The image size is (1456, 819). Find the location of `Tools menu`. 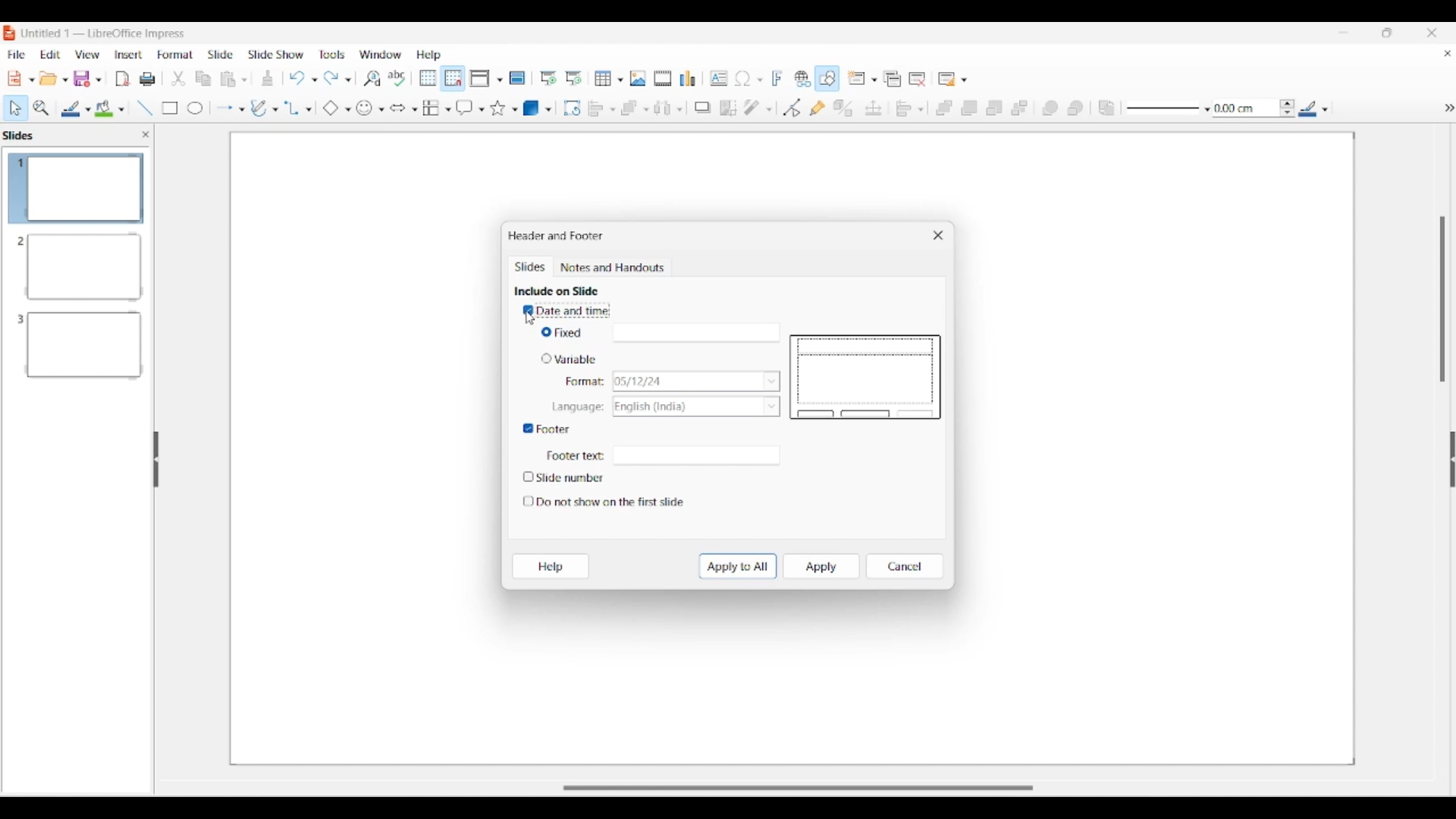

Tools menu is located at coordinates (332, 55).